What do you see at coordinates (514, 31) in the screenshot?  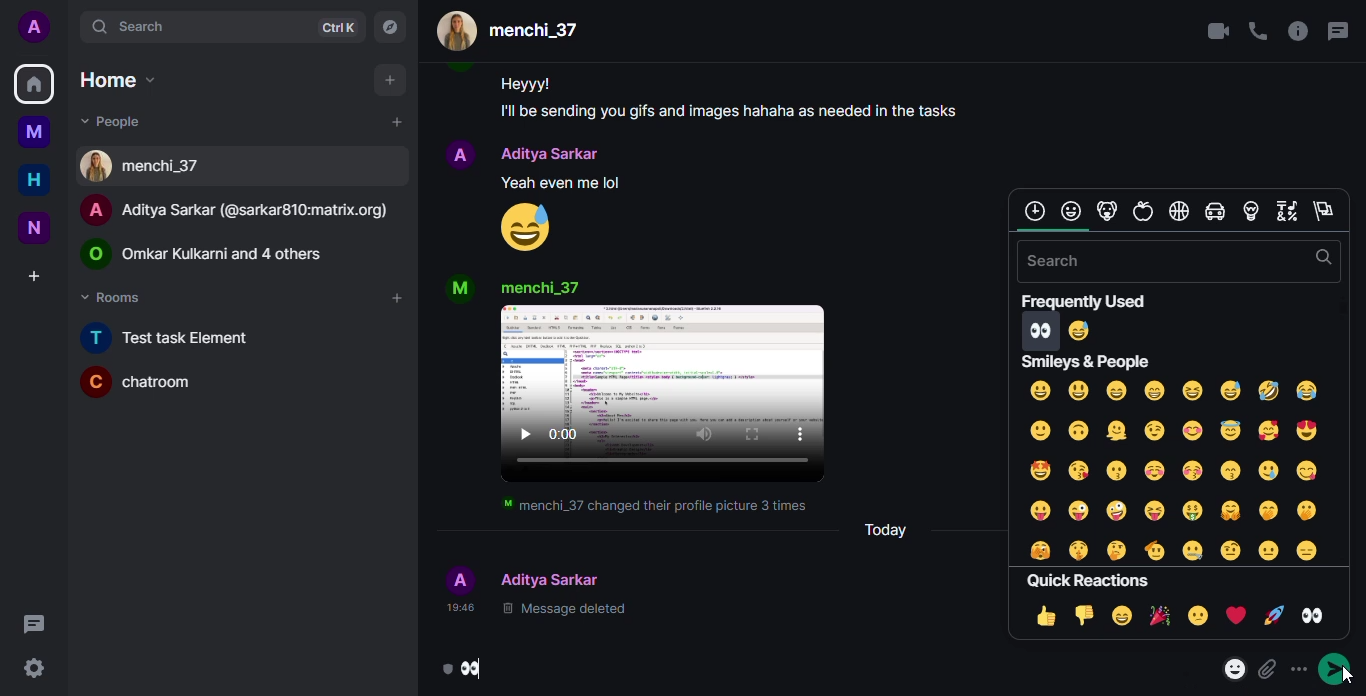 I see `people` at bounding box center [514, 31].